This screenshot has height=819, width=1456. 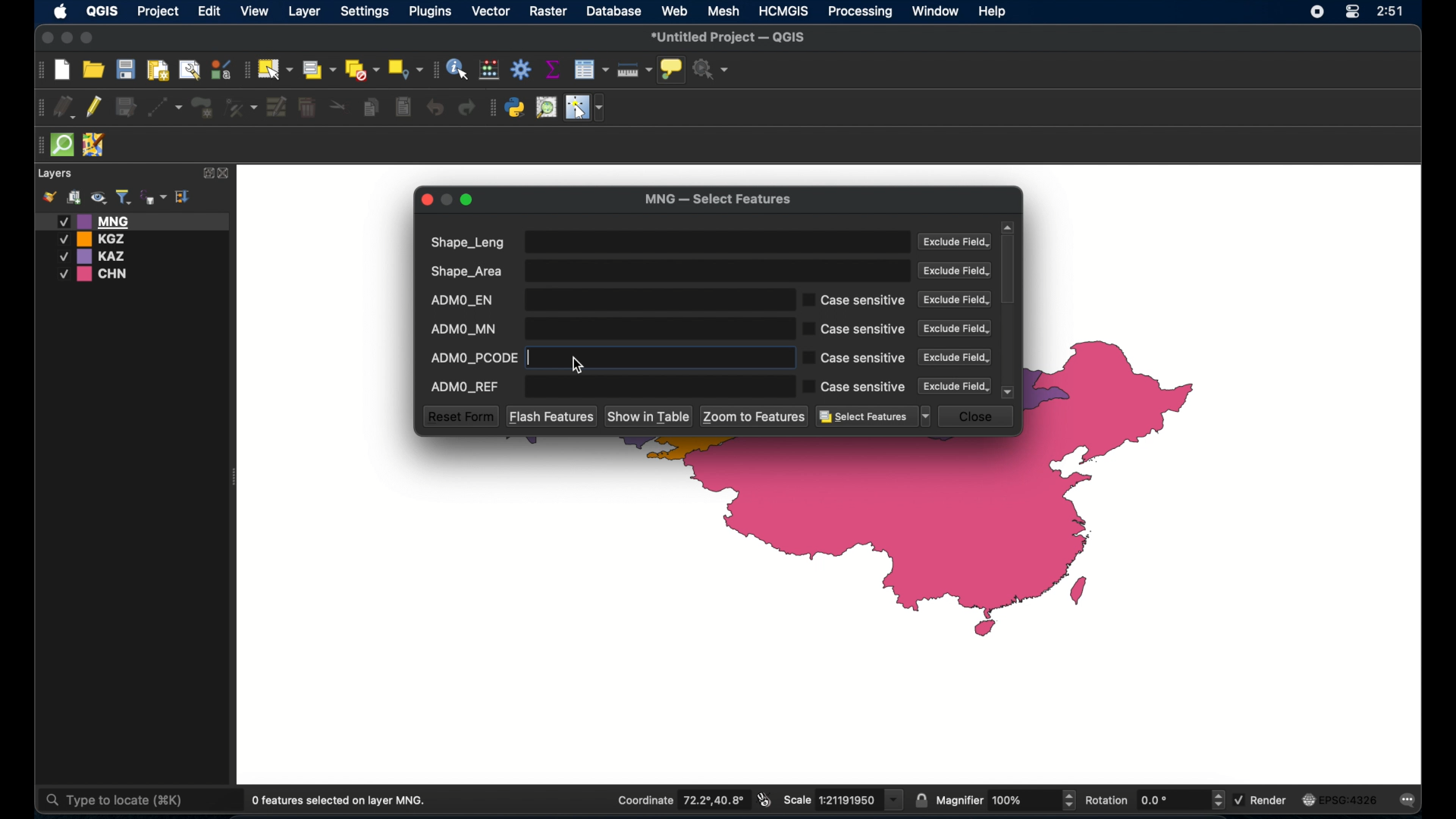 I want to click on ADMO_PCODE, so click(x=473, y=356).